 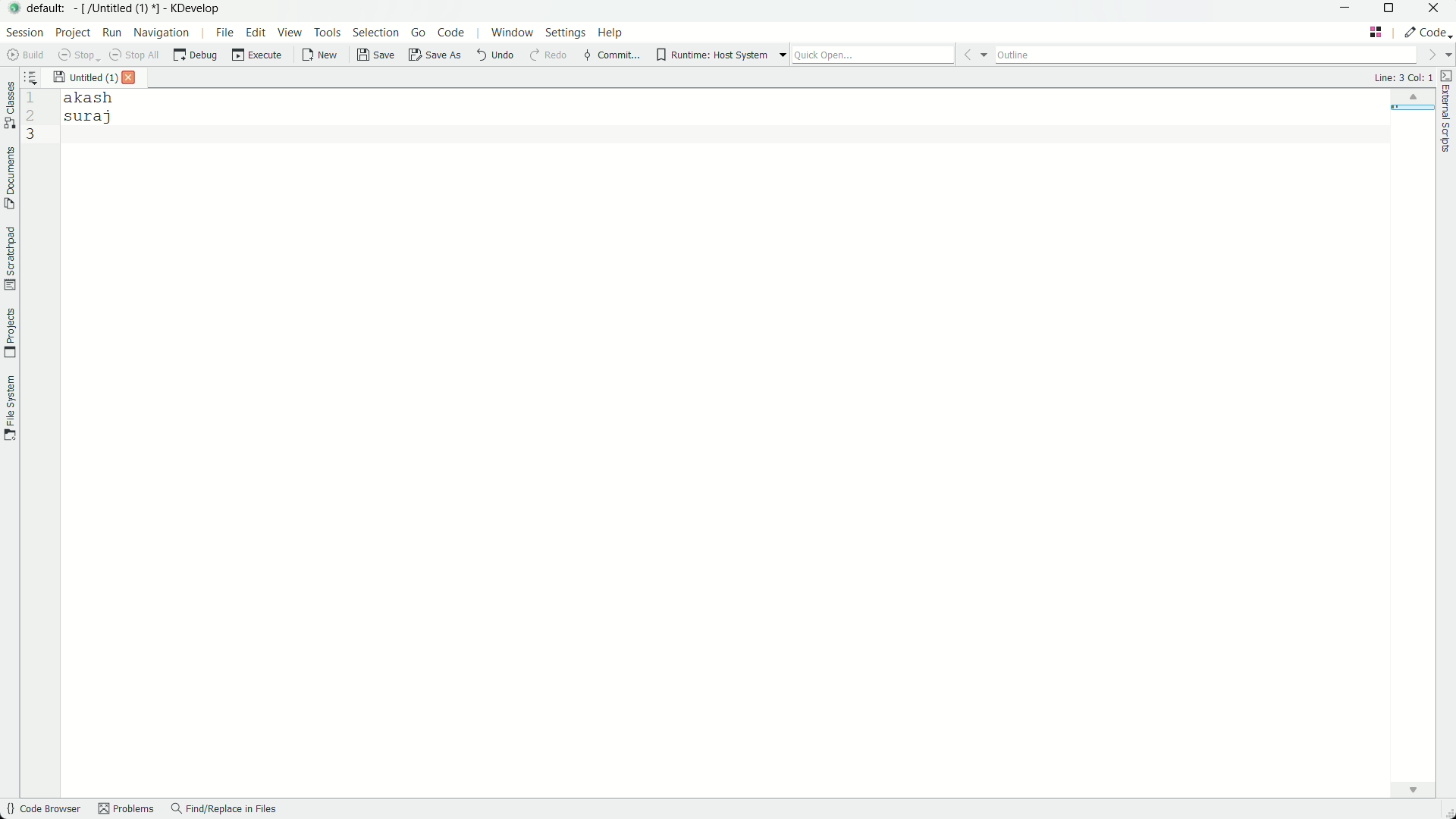 I want to click on file system, so click(x=10, y=409).